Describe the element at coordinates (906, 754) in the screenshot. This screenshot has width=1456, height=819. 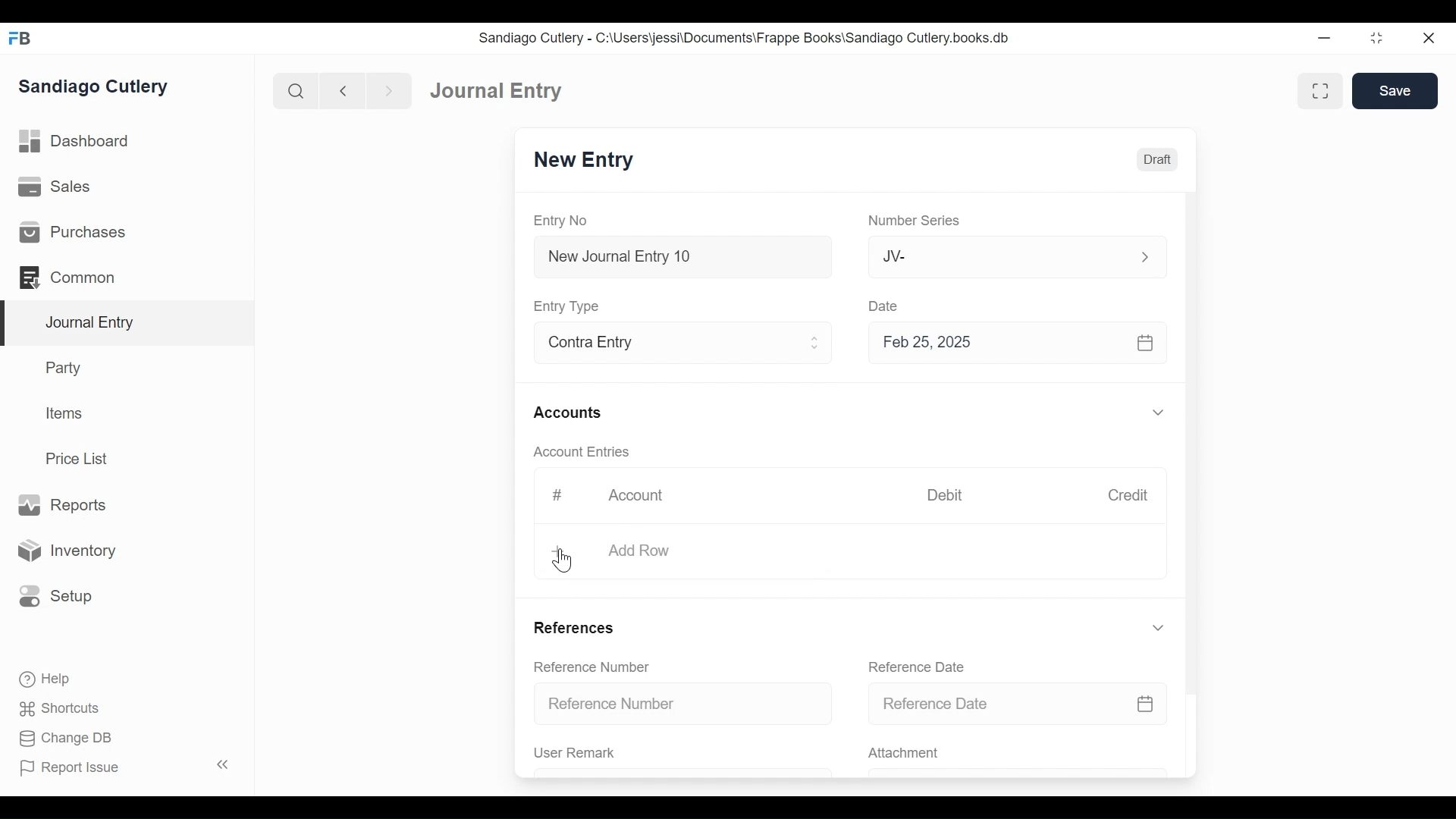
I see `Attachment` at that location.